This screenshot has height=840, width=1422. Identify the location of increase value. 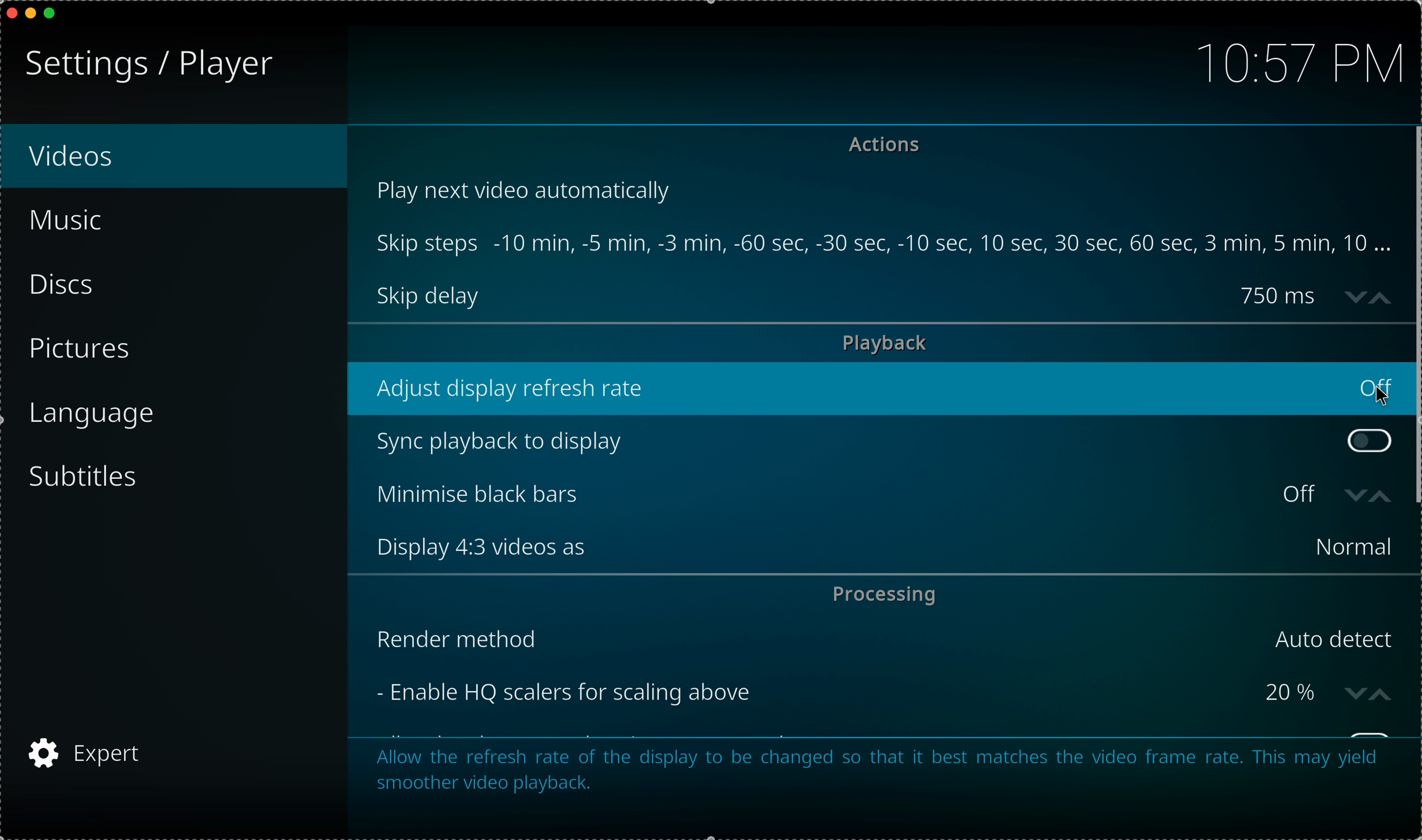
(1385, 692).